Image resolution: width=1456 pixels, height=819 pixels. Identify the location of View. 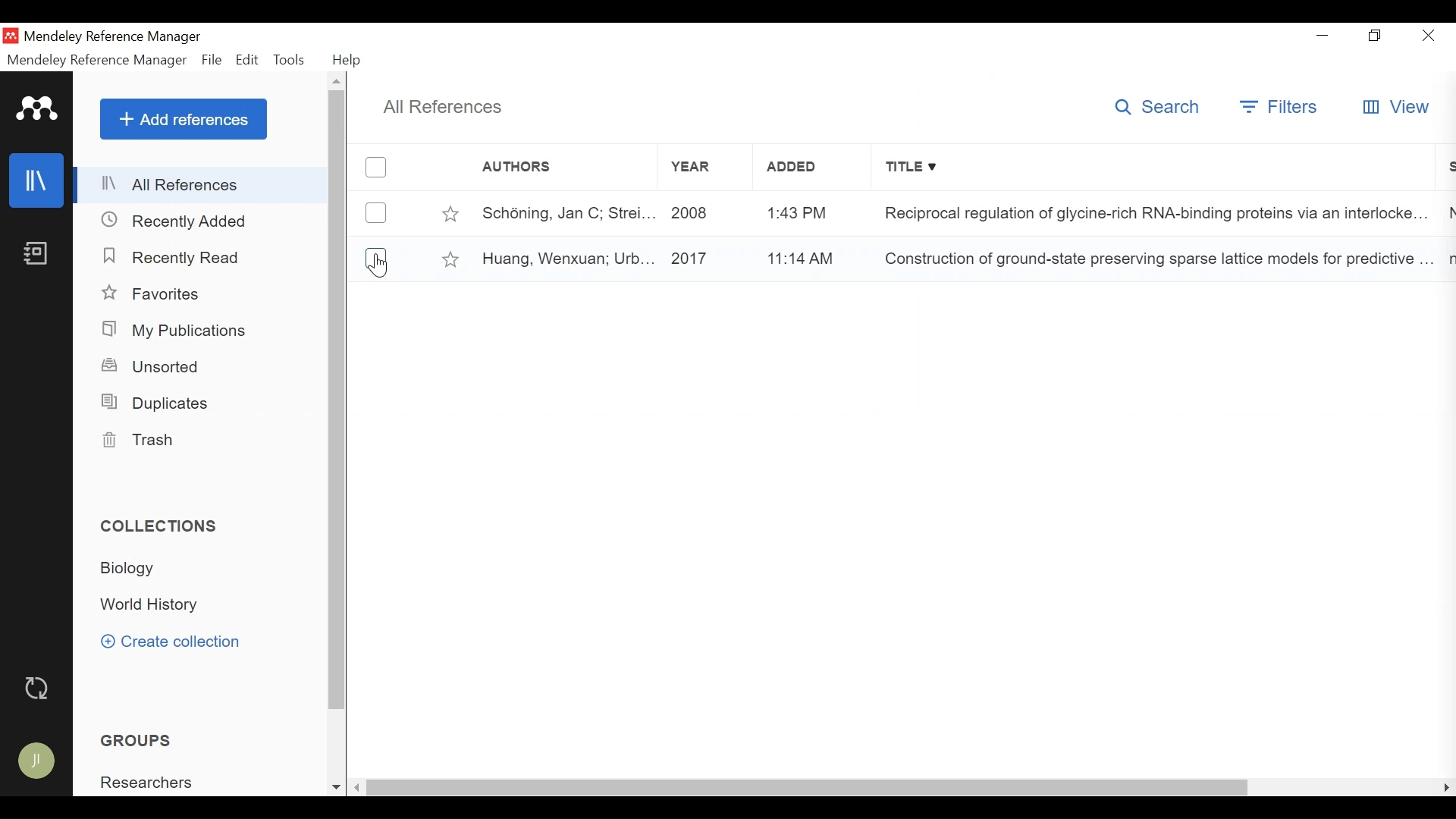
(1396, 108).